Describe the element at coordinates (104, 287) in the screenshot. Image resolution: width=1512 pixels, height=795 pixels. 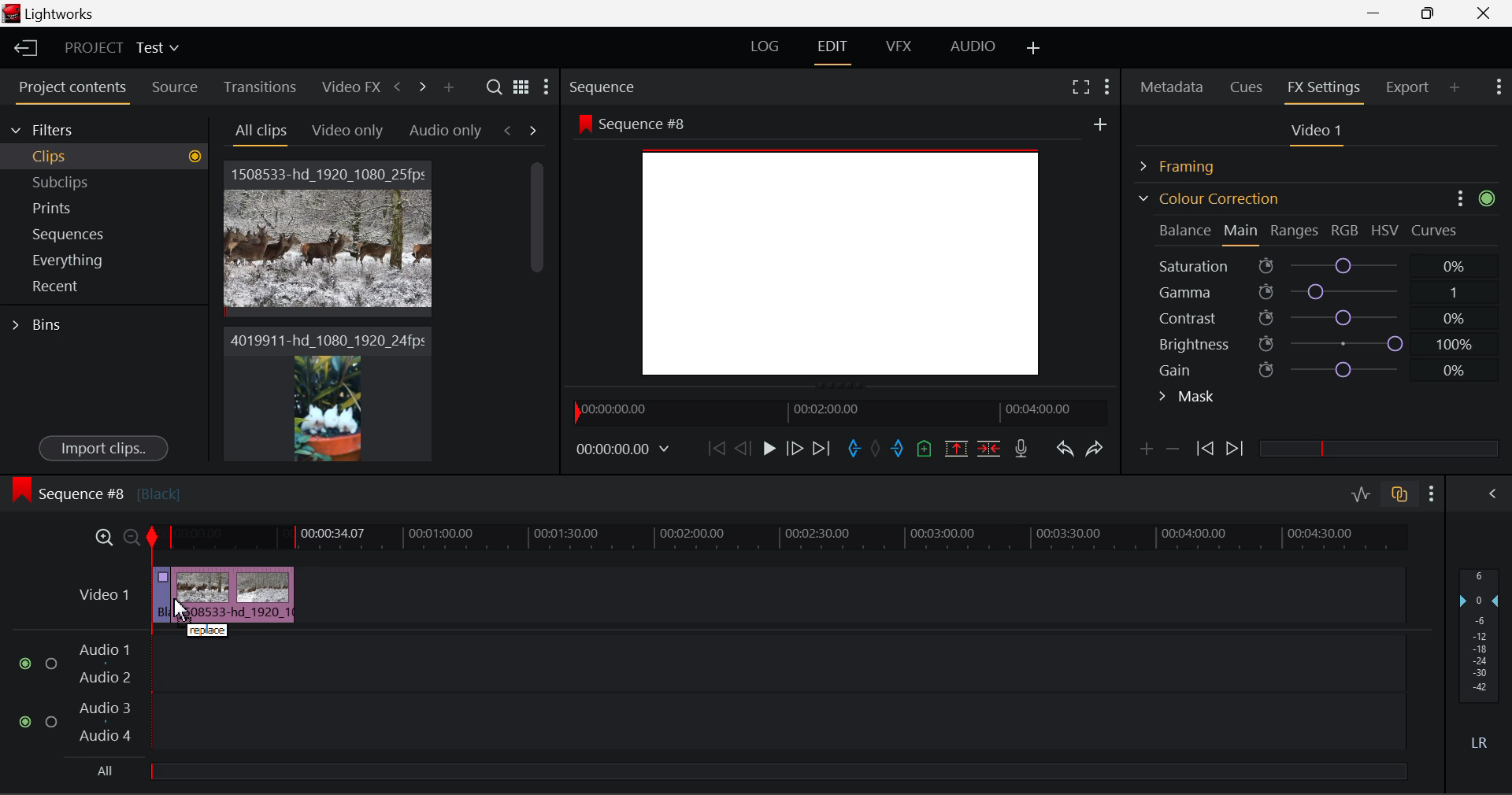
I see `Recent Tab Open` at that location.